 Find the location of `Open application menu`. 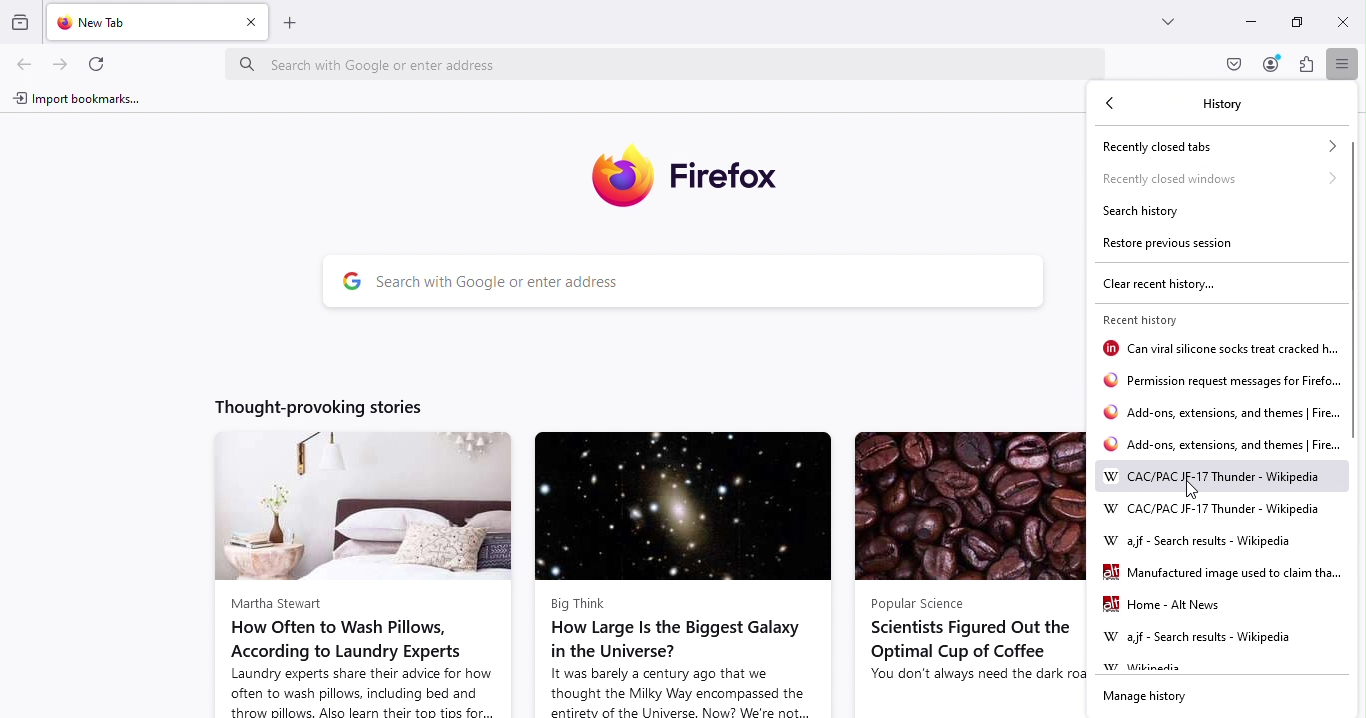

Open application menu is located at coordinates (1339, 62).